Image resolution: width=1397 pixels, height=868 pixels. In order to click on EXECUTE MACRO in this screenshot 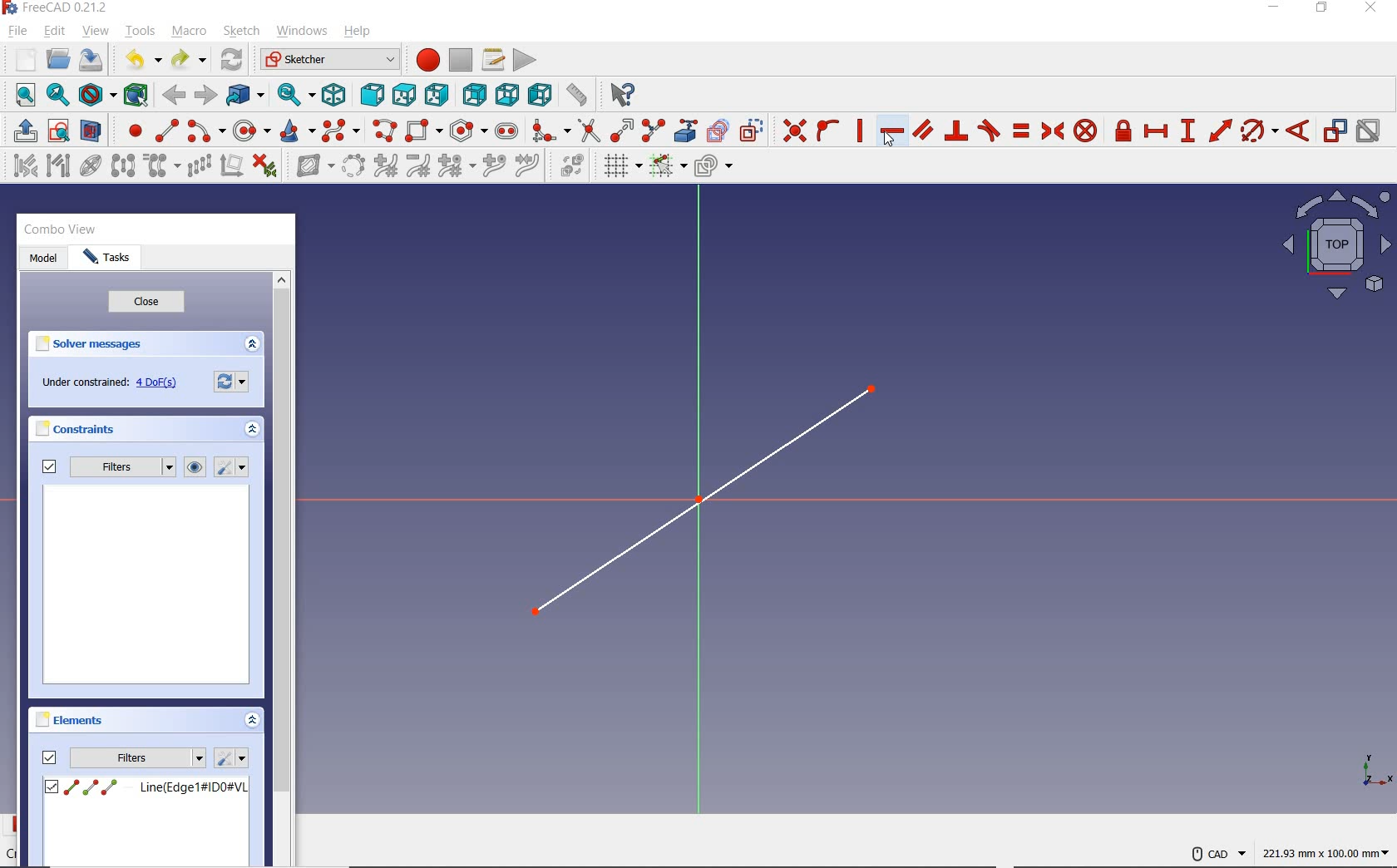, I will do `click(525, 60)`.